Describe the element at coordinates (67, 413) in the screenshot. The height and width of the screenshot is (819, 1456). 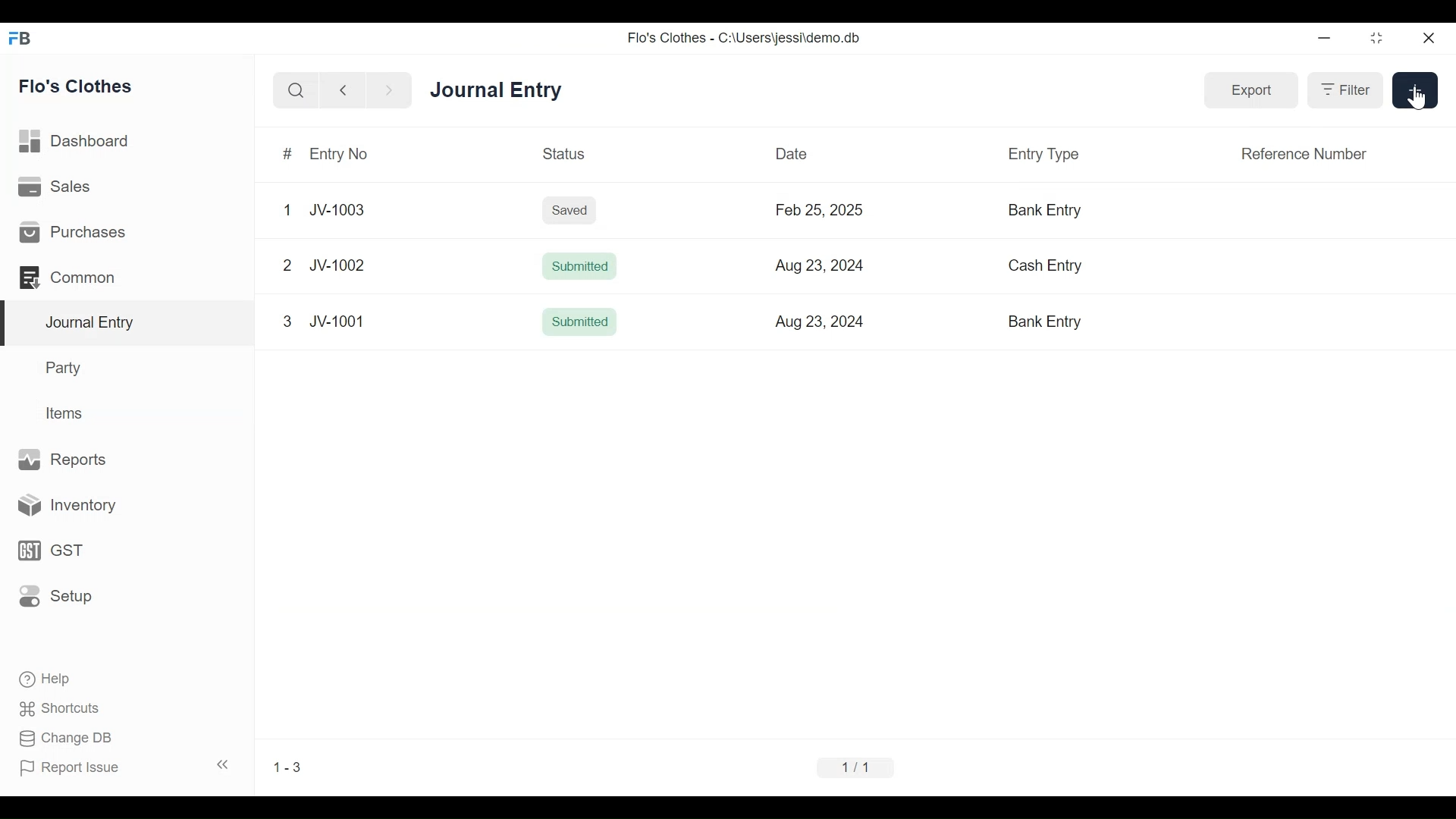
I see `Items` at that location.